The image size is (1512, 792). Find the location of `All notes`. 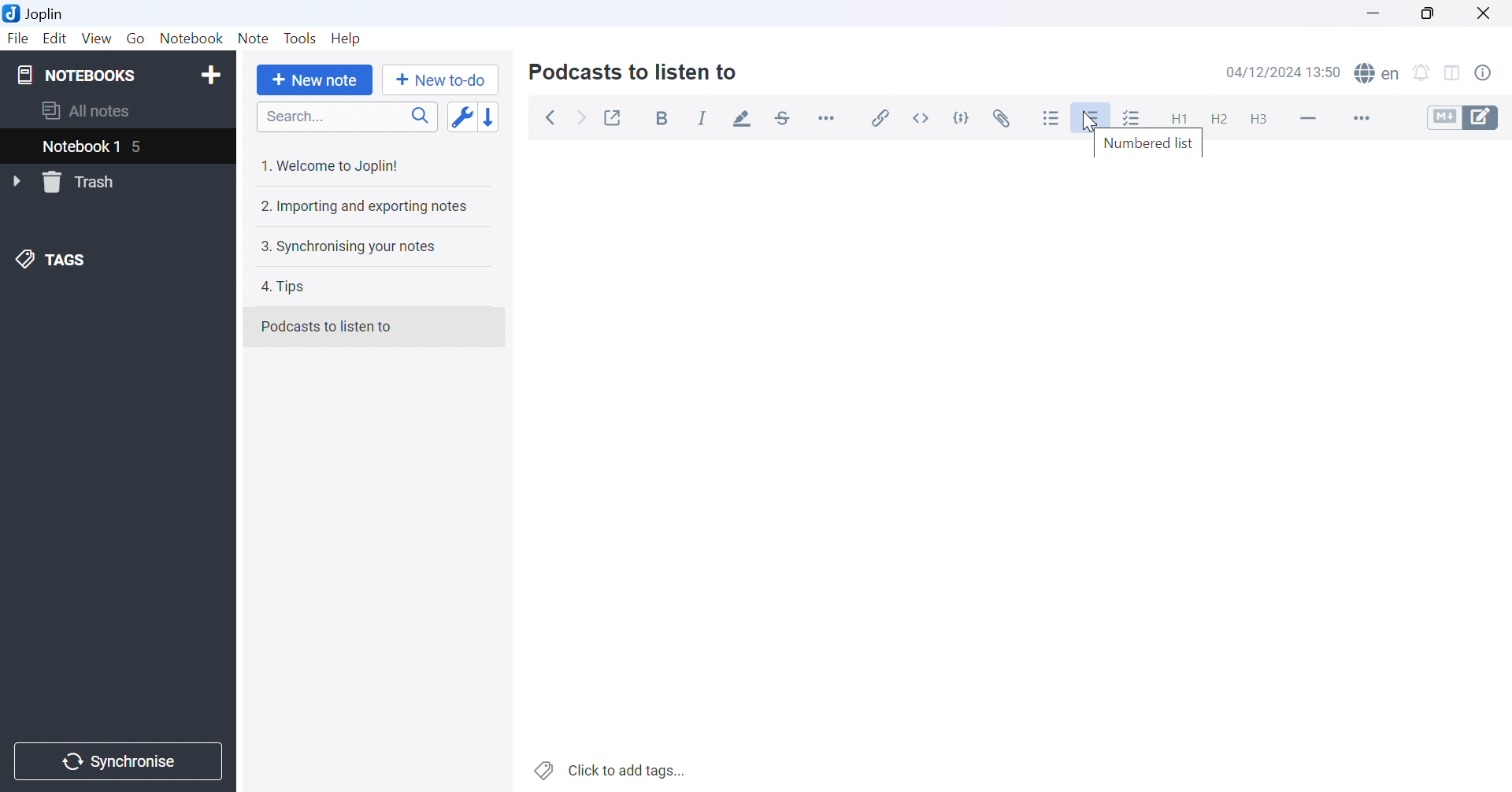

All notes is located at coordinates (87, 112).